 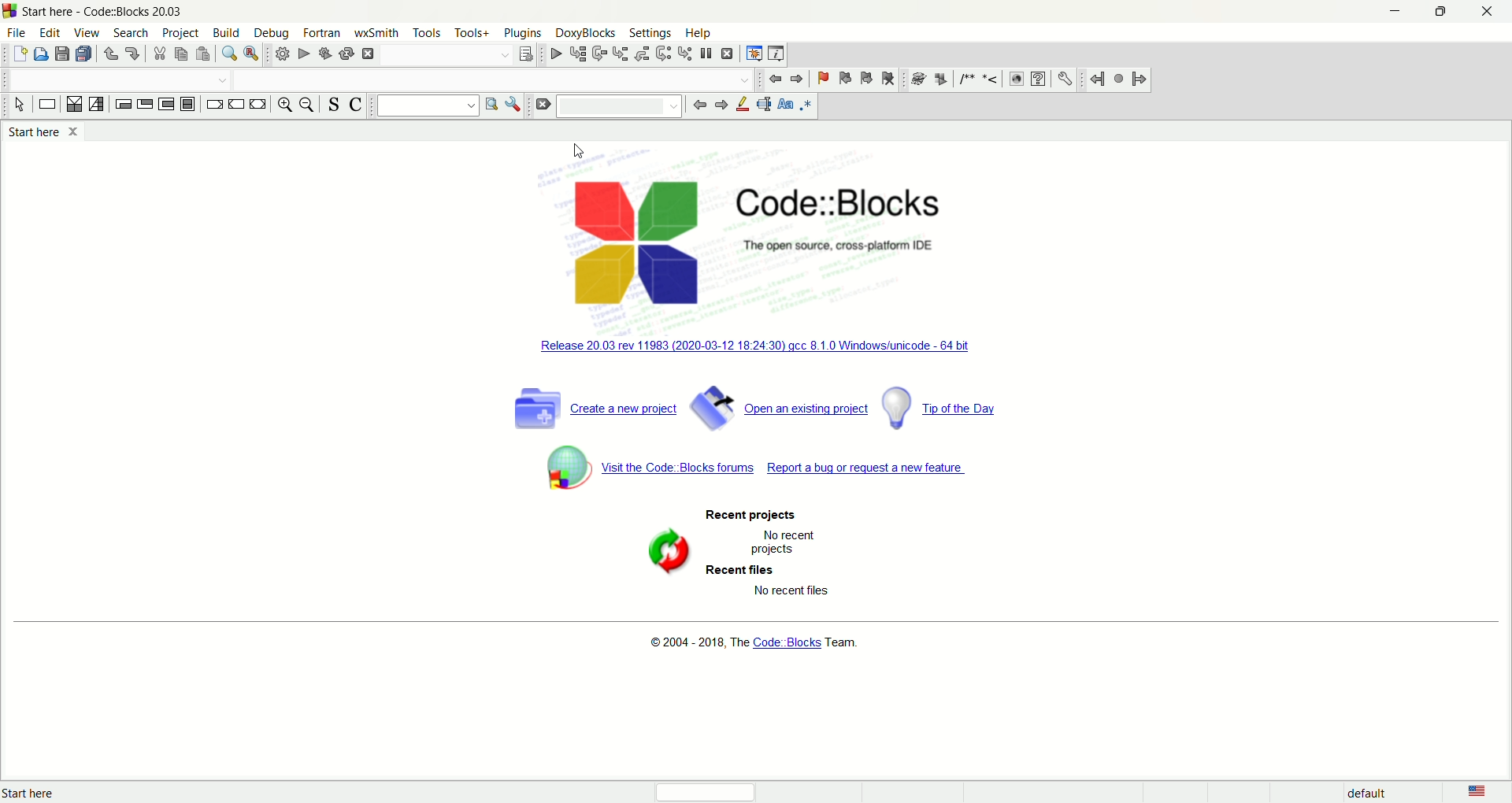 What do you see at coordinates (680, 471) in the screenshot?
I see `visit the code` at bounding box center [680, 471].